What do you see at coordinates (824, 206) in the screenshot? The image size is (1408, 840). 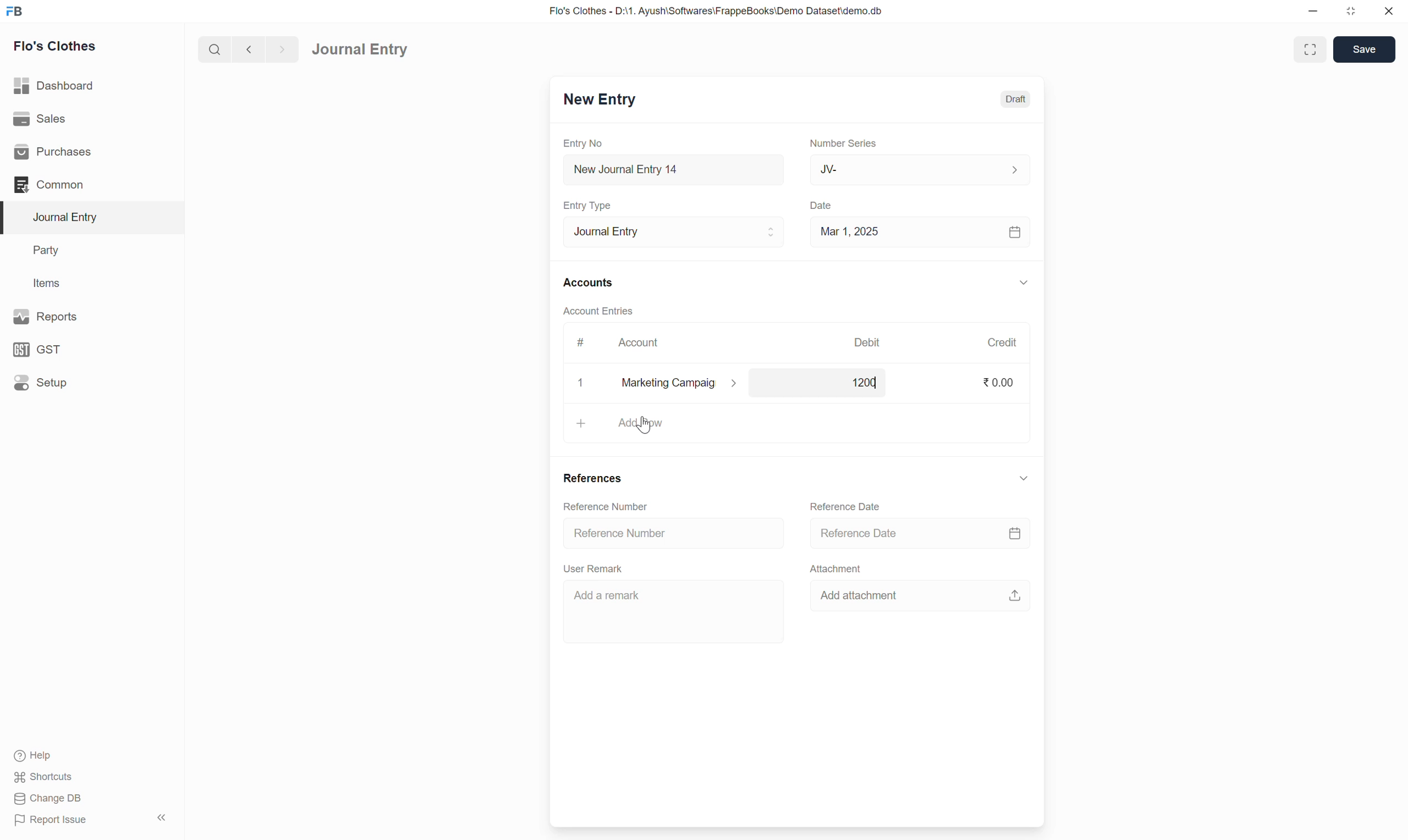 I see `Date` at bounding box center [824, 206].